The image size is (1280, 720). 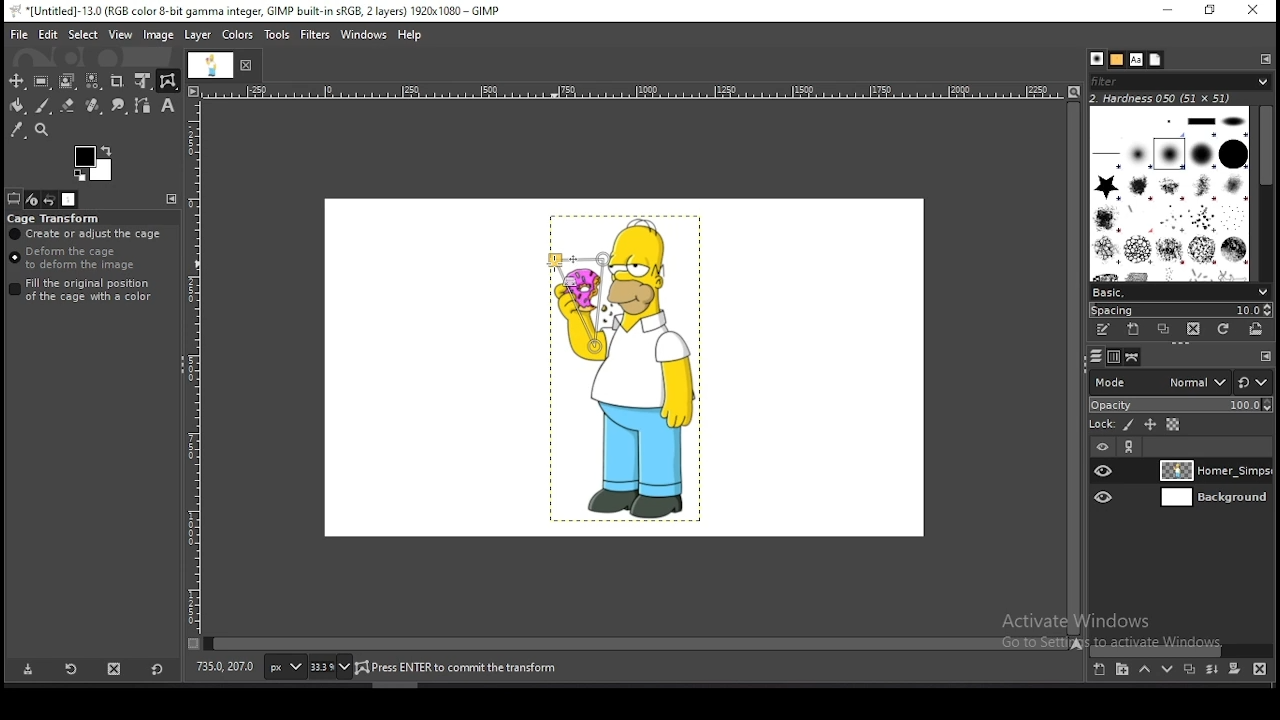 I want to click on document tab, so click(x=211, y=67).